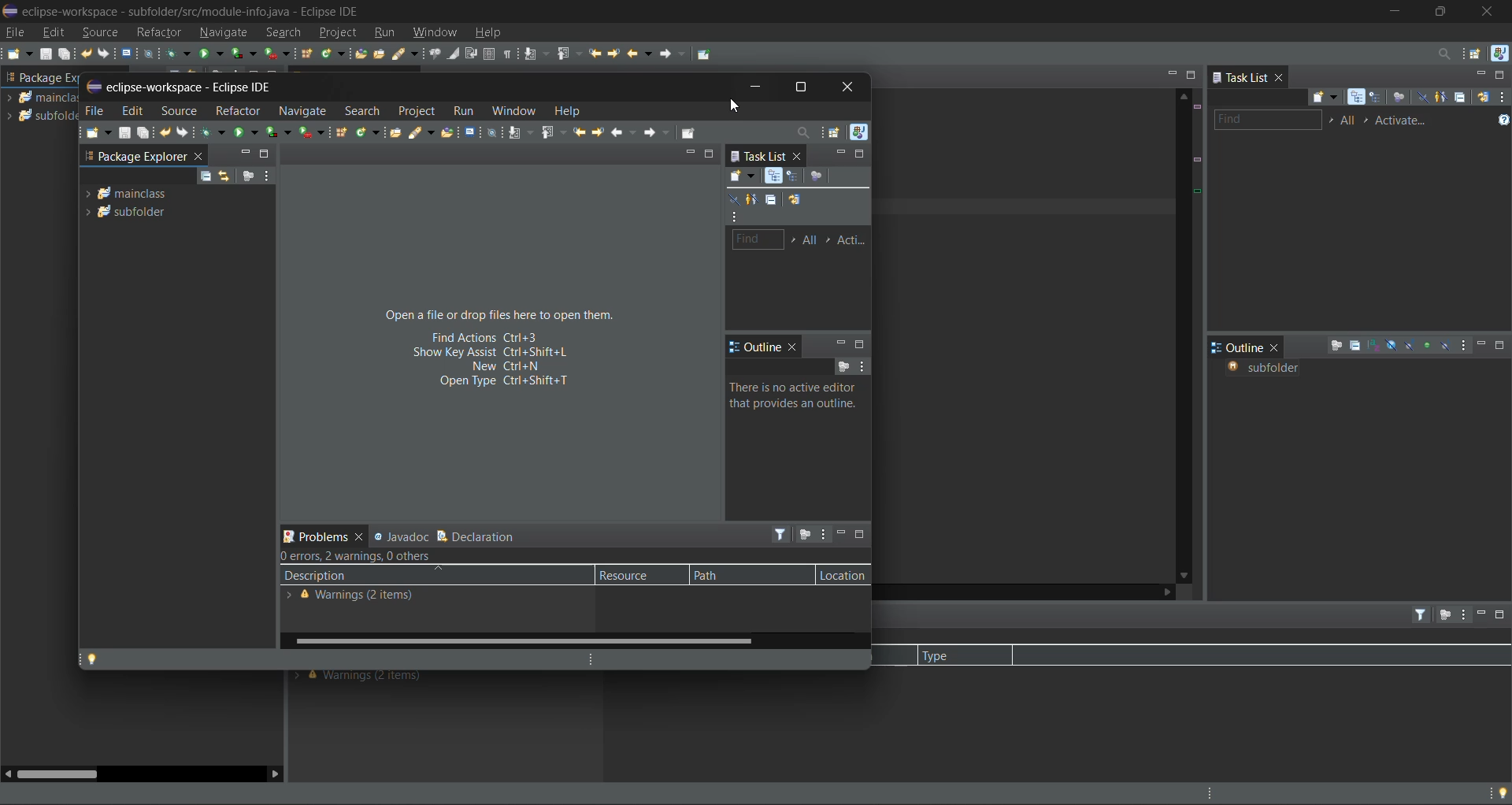 Image resolution: width=1512 pixels, height=805 pixels. Describe the element at coordinates (690, 153) in the screenshot. I see `minimize` at that location.